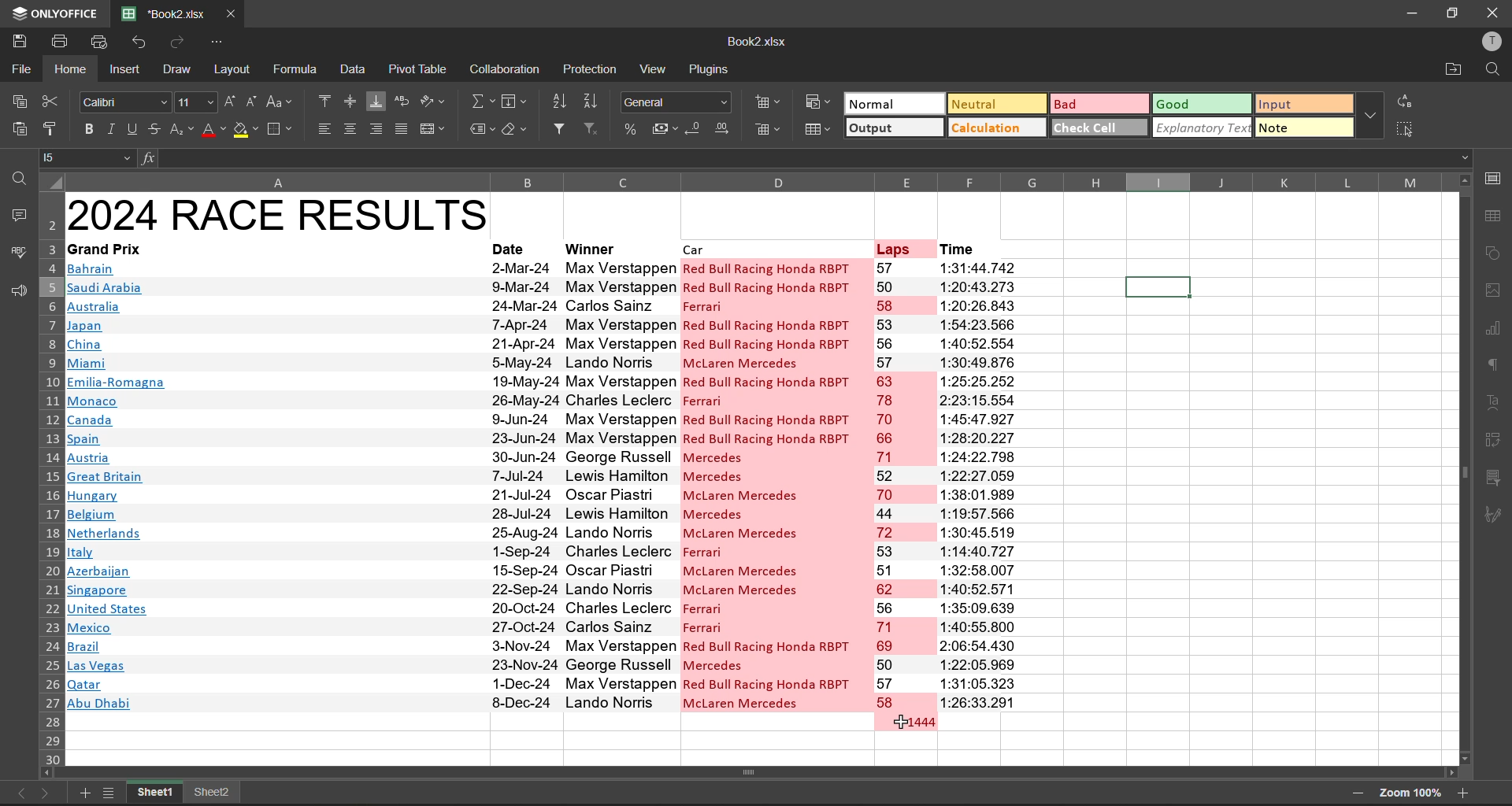 The height and width of the screenshot is (806, 1512). I want to click on column name, so click(751, 181).